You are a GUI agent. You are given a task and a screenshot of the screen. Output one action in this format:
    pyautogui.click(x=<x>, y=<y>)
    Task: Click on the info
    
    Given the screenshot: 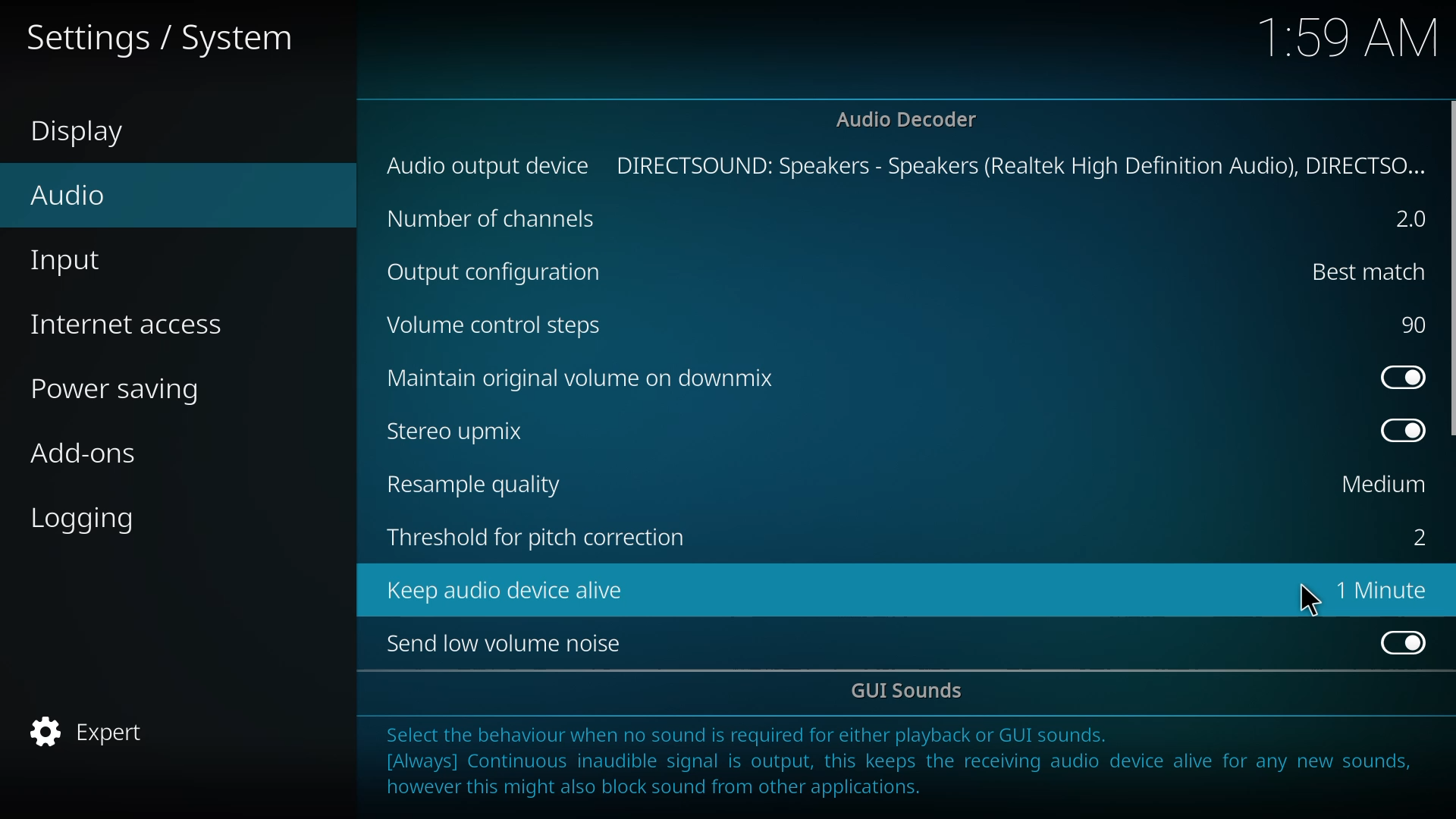 What is the action you would take?
    pyautogui.click(x=904, y=765)
    